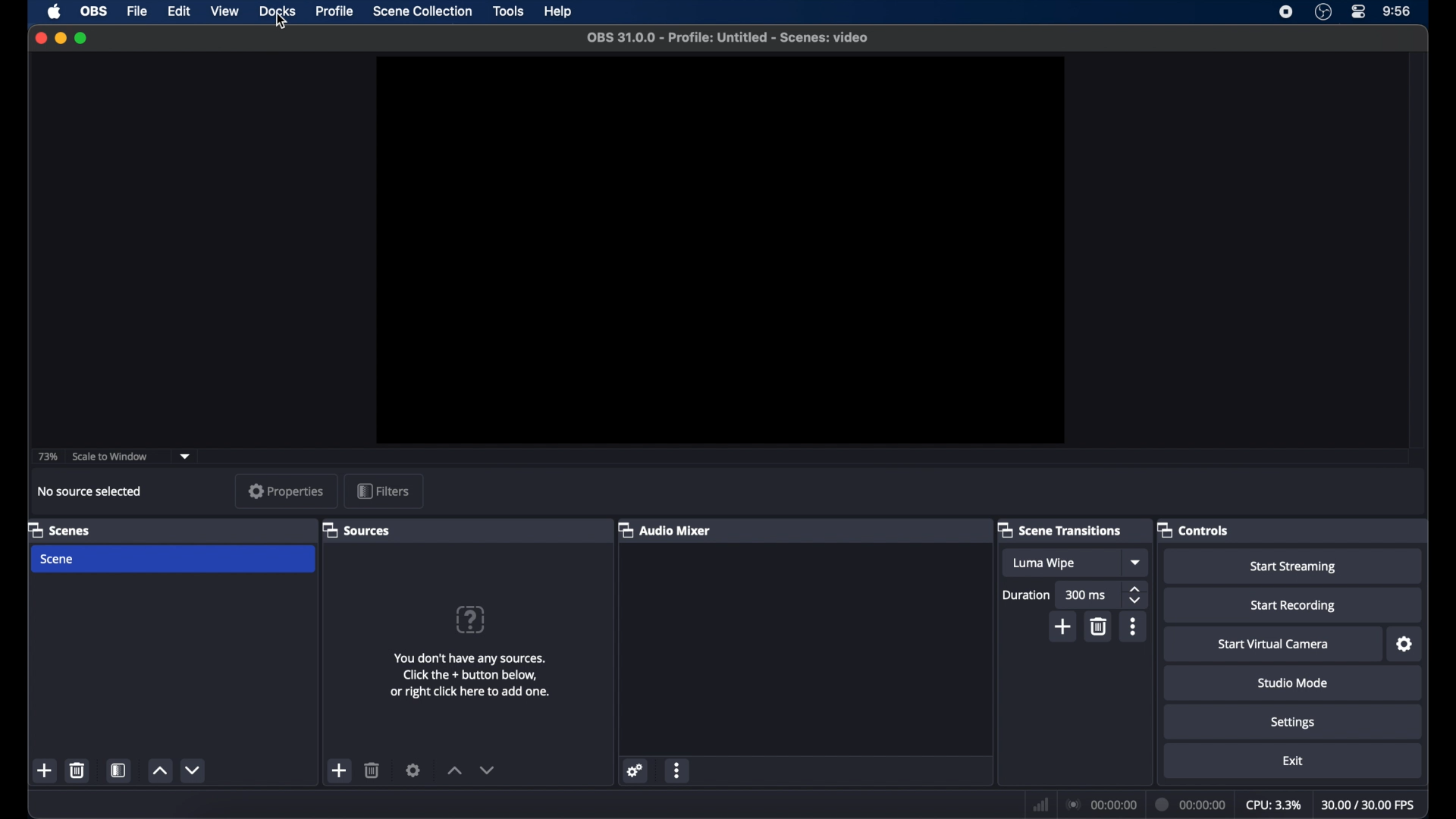 This screenshot has height=819, width=1456. I want to click on delete, so click(372, 770).